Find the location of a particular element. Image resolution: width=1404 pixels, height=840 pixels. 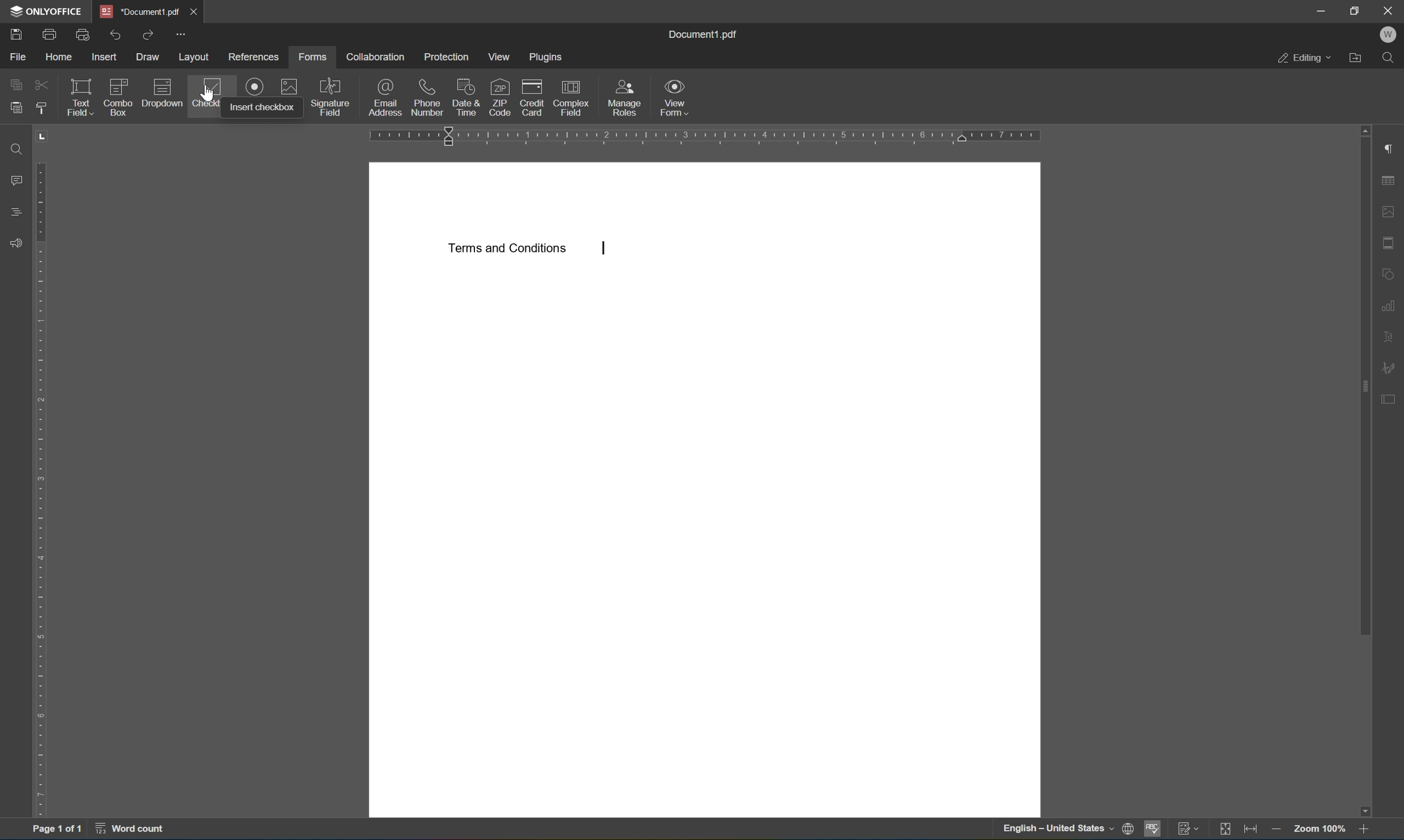

header & footer settings is located at coordinates (1391, 245).